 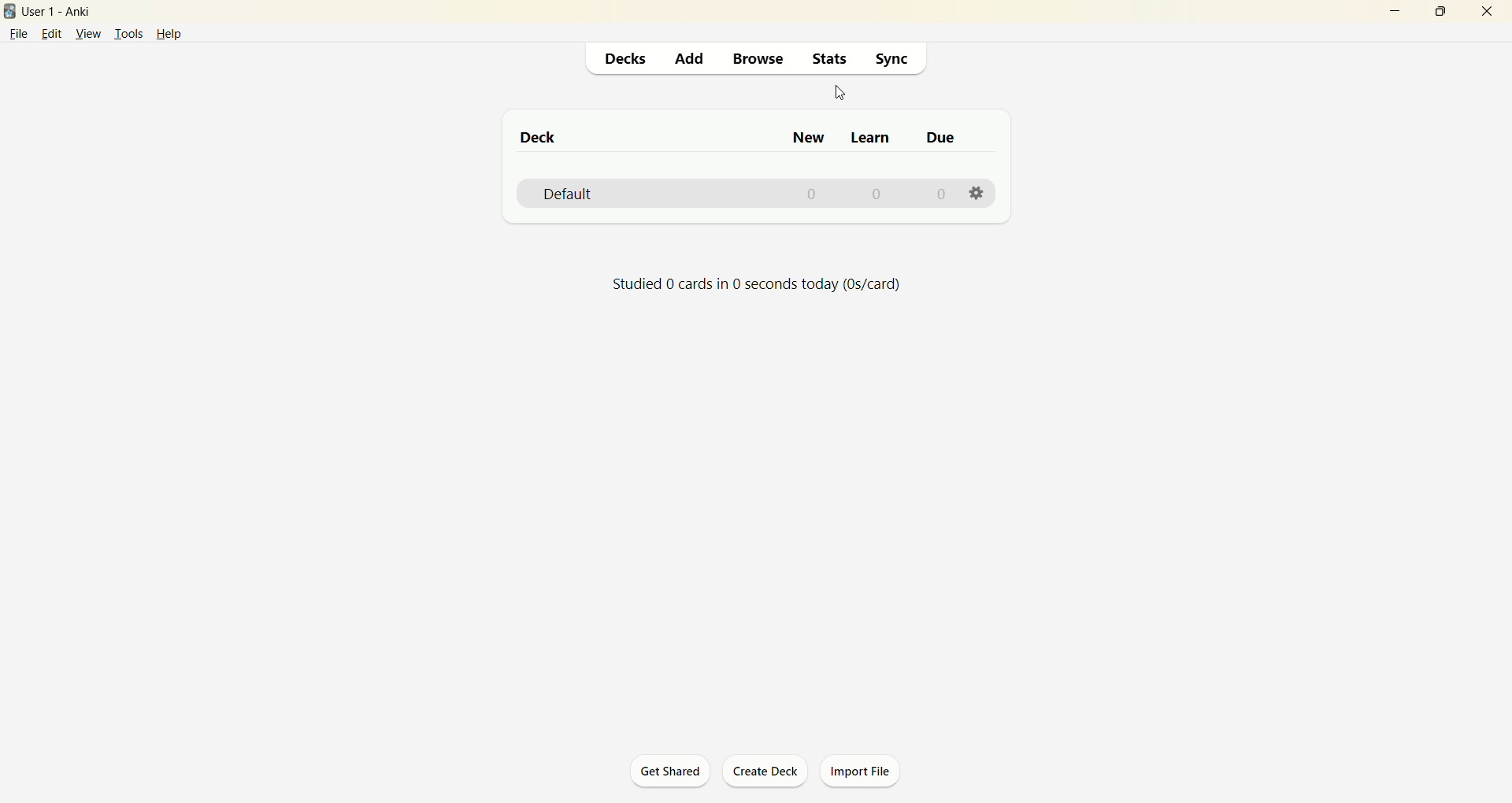 I want to click on 0, so click(x=876, y=194).